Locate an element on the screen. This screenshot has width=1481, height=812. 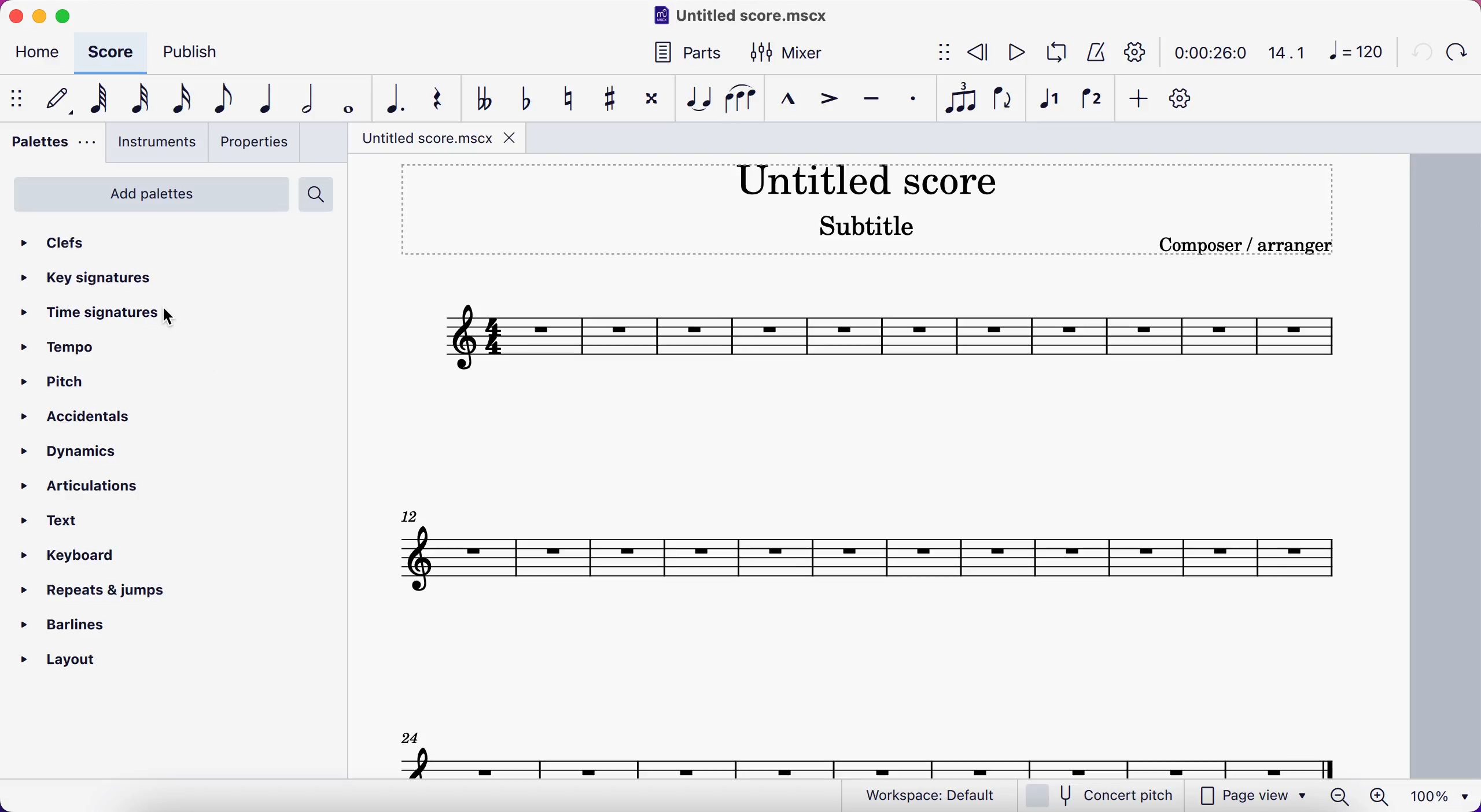
palettes is located at coordinates (52, 145).